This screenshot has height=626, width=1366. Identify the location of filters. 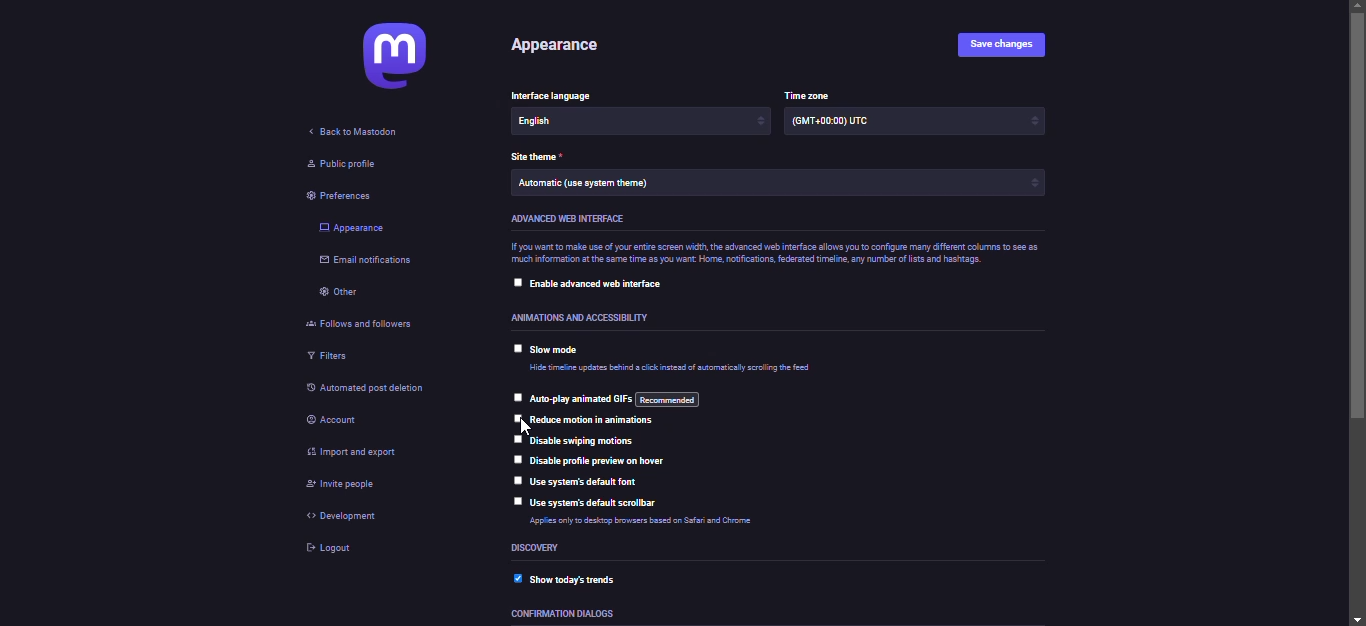
(329, 355).